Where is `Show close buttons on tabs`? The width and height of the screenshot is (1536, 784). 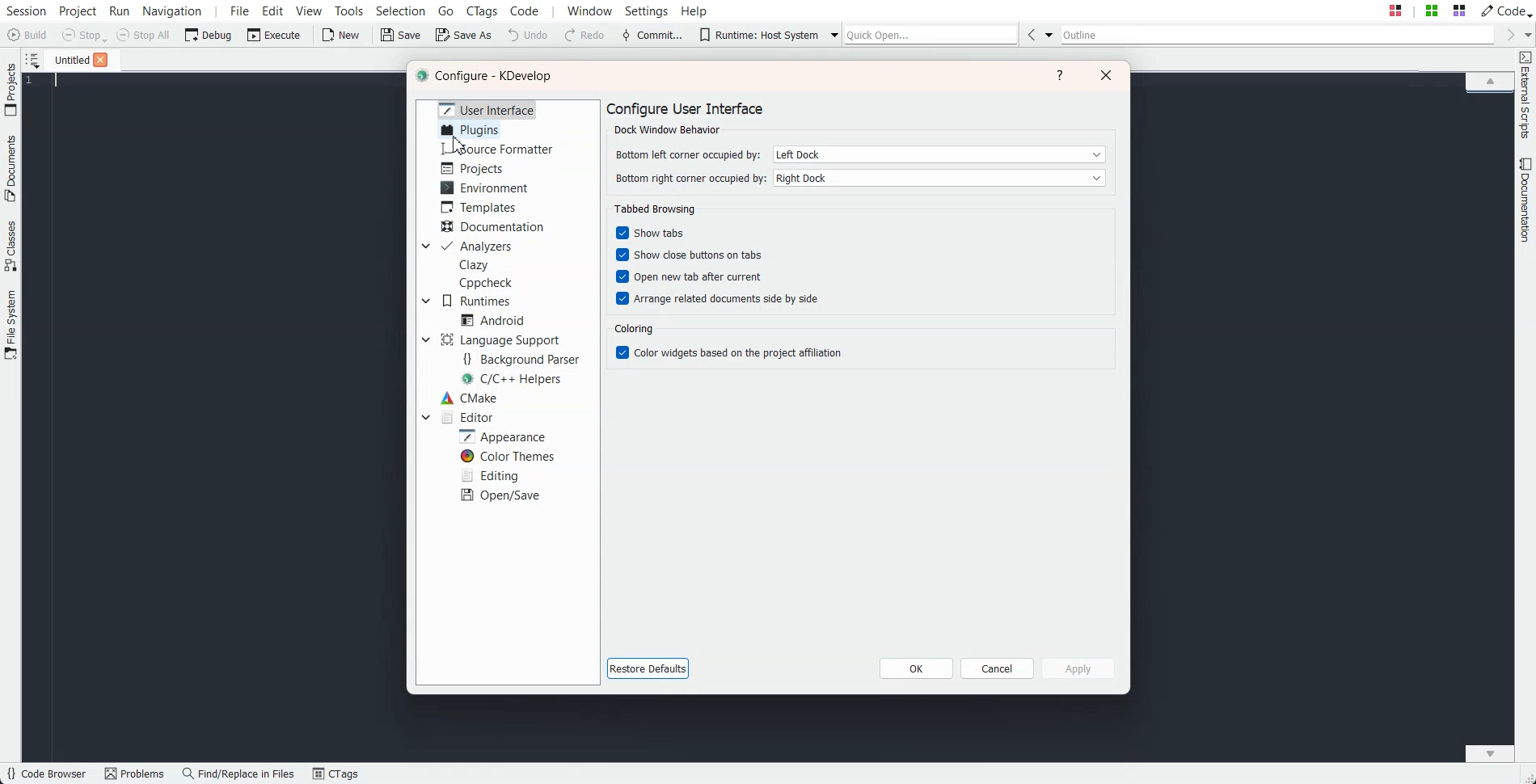
Show close buttons on tabs is located at coordinates (694, 254).